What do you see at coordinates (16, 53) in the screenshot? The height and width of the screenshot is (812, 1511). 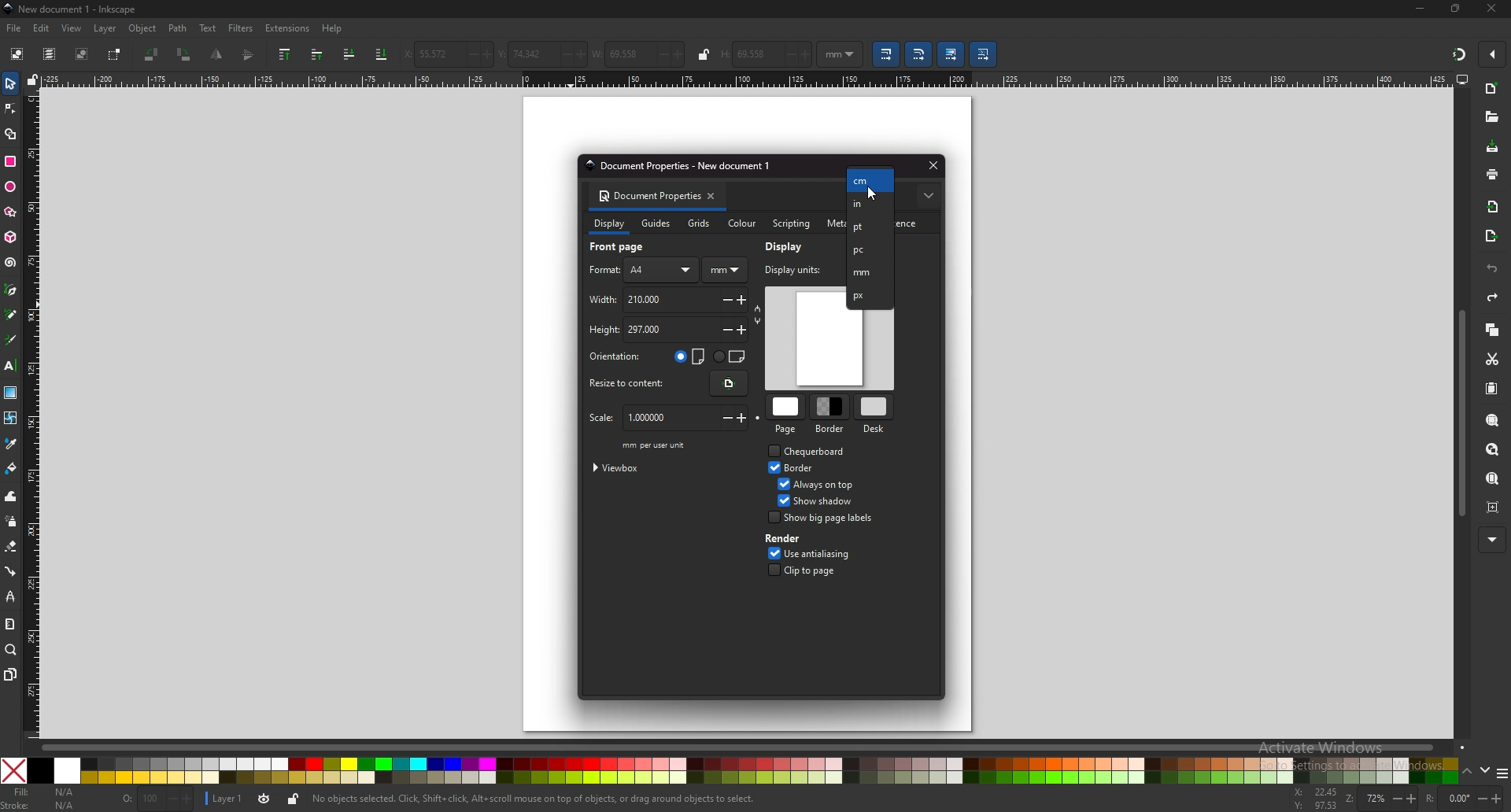 I see `select all objects` at bounding box center [16, 53].